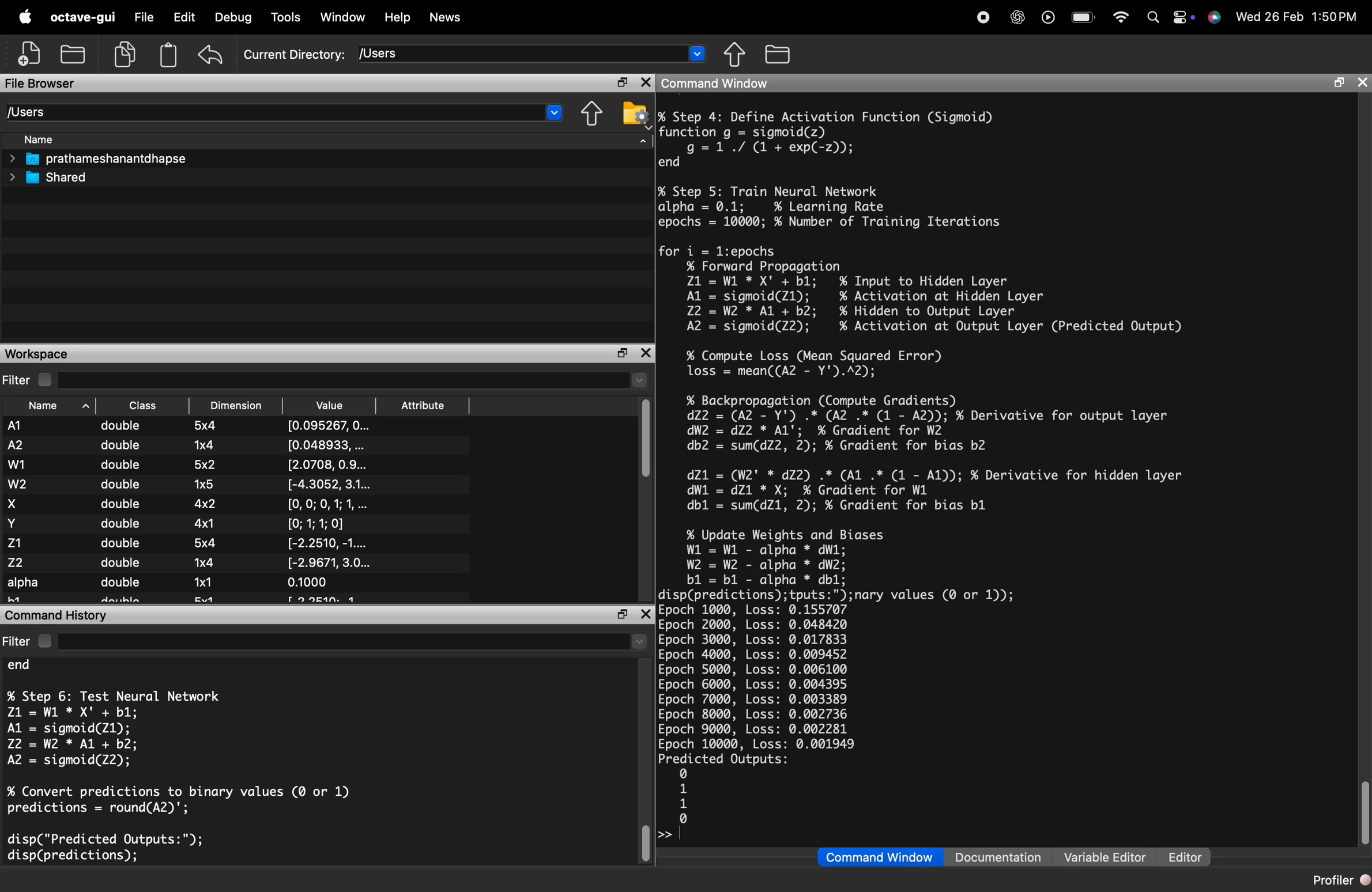 This screenshot has height=892, width=1372. What do you see at coordinates (85, 17) in the screenshot?
I see `octave-gui` at bounding box center [85, 17].